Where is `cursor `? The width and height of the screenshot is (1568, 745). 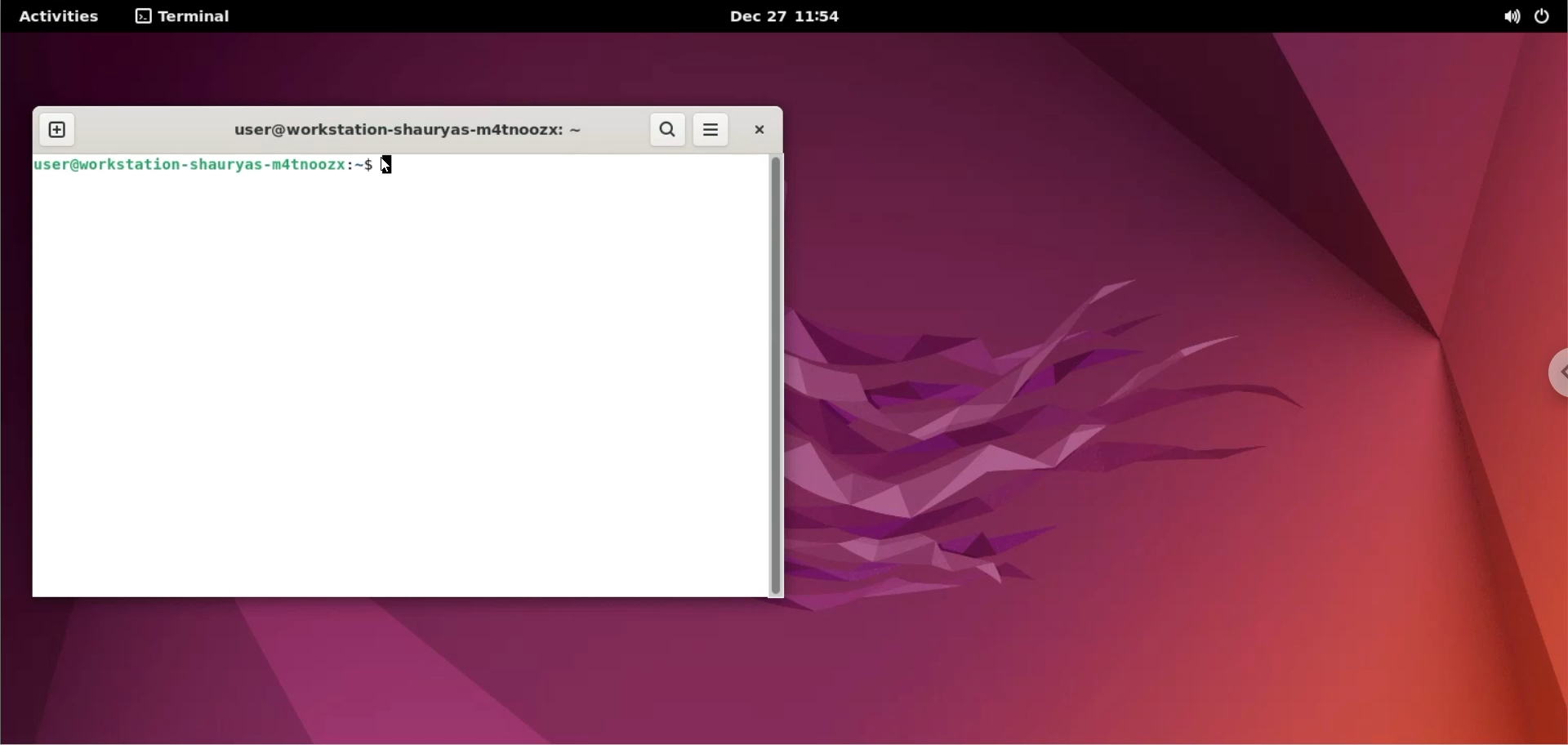 cursor  is located at coordinates (395, 169).